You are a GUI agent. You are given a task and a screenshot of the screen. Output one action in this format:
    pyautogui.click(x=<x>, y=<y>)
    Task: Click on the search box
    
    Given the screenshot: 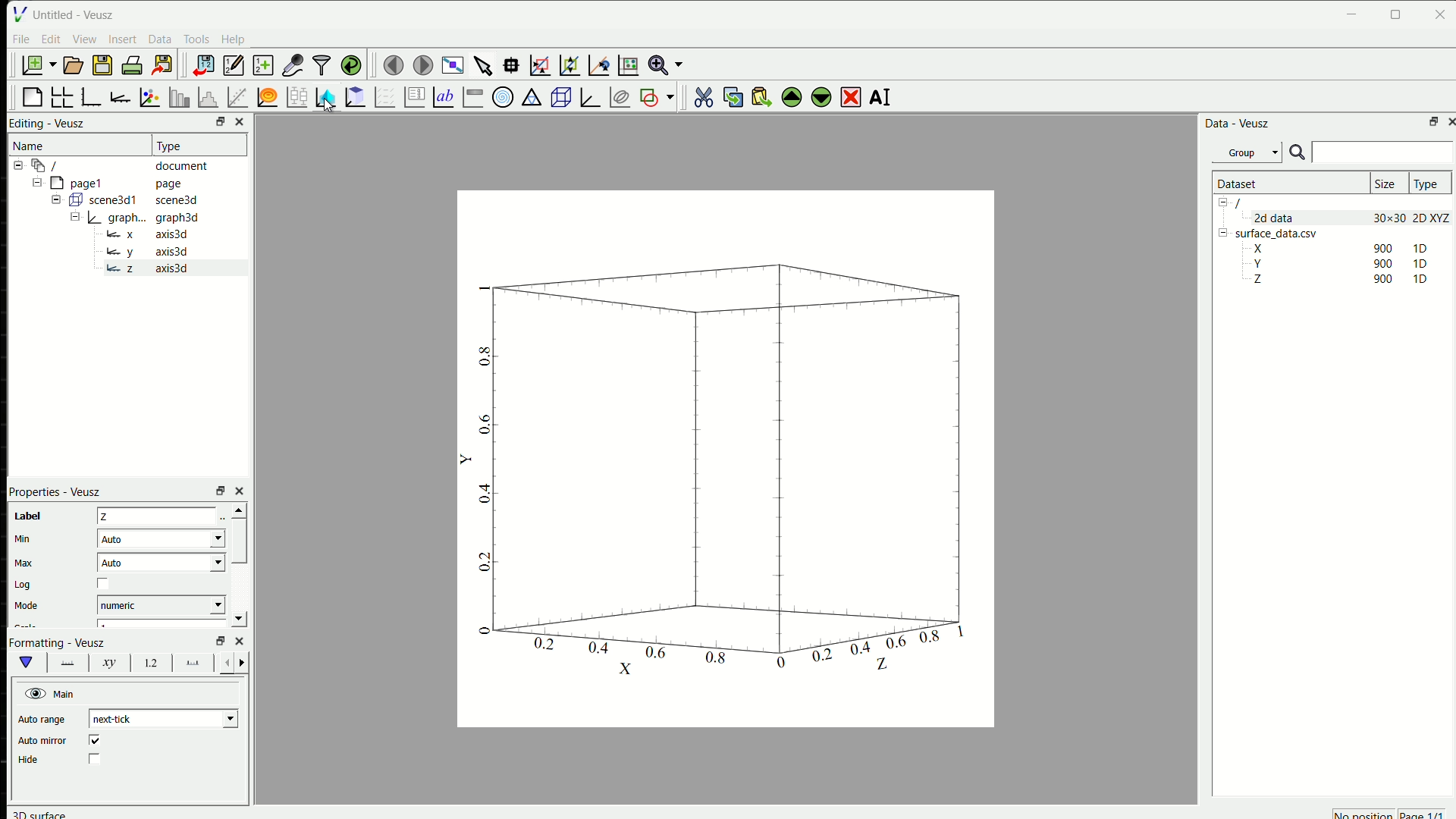 What is the action you would take?
    pyautogui.click(x=1382, y=152)
    